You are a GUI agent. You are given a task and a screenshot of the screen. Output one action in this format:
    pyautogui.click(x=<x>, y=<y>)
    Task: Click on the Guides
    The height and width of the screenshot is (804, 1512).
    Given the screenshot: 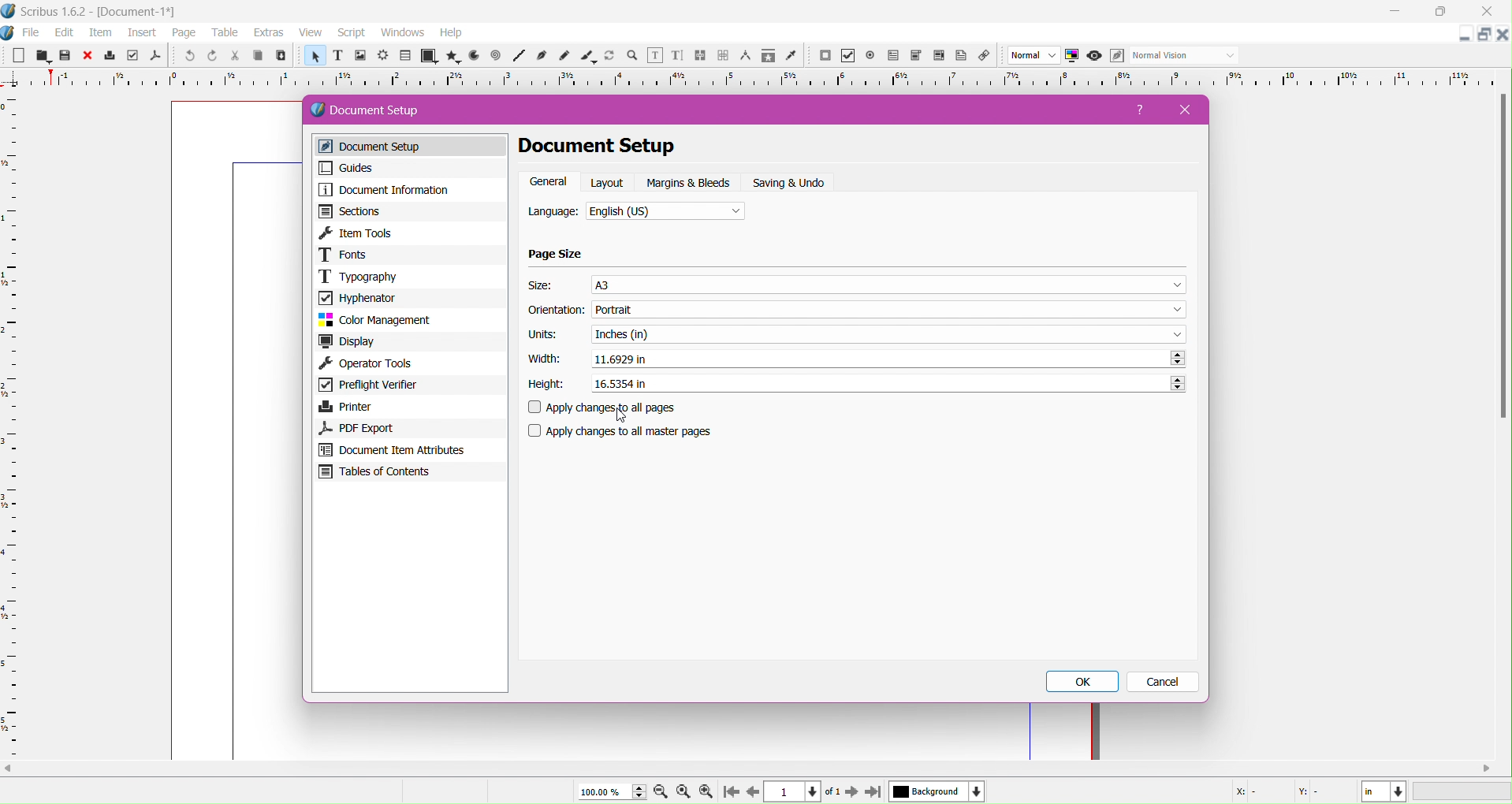 What is the action you would take?
    pyautogui.click(x=407, y=168)
    